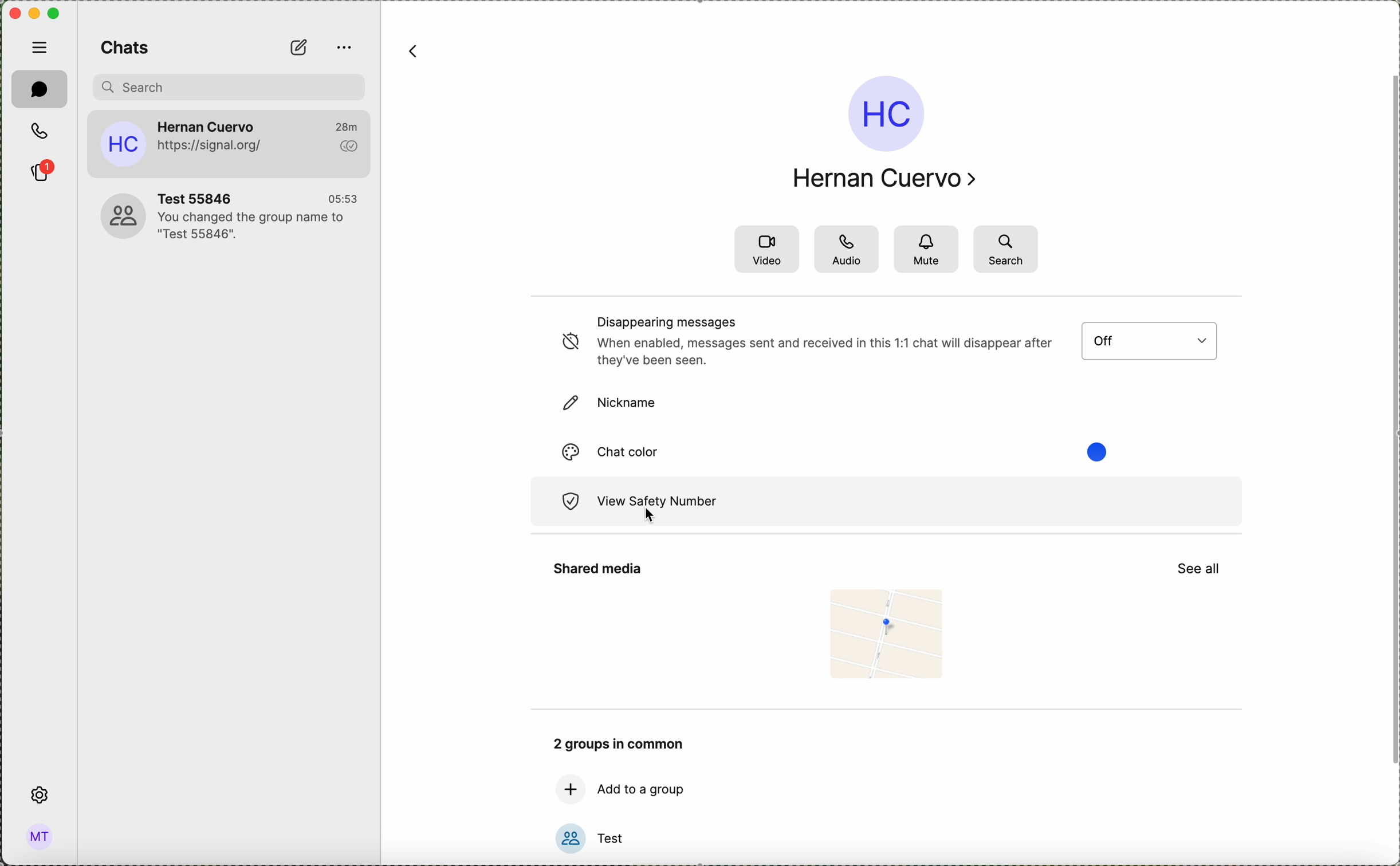 Image resolution: width=1400 pixels, height=866 pixels. I want to click on search bar, so click(229, 88).